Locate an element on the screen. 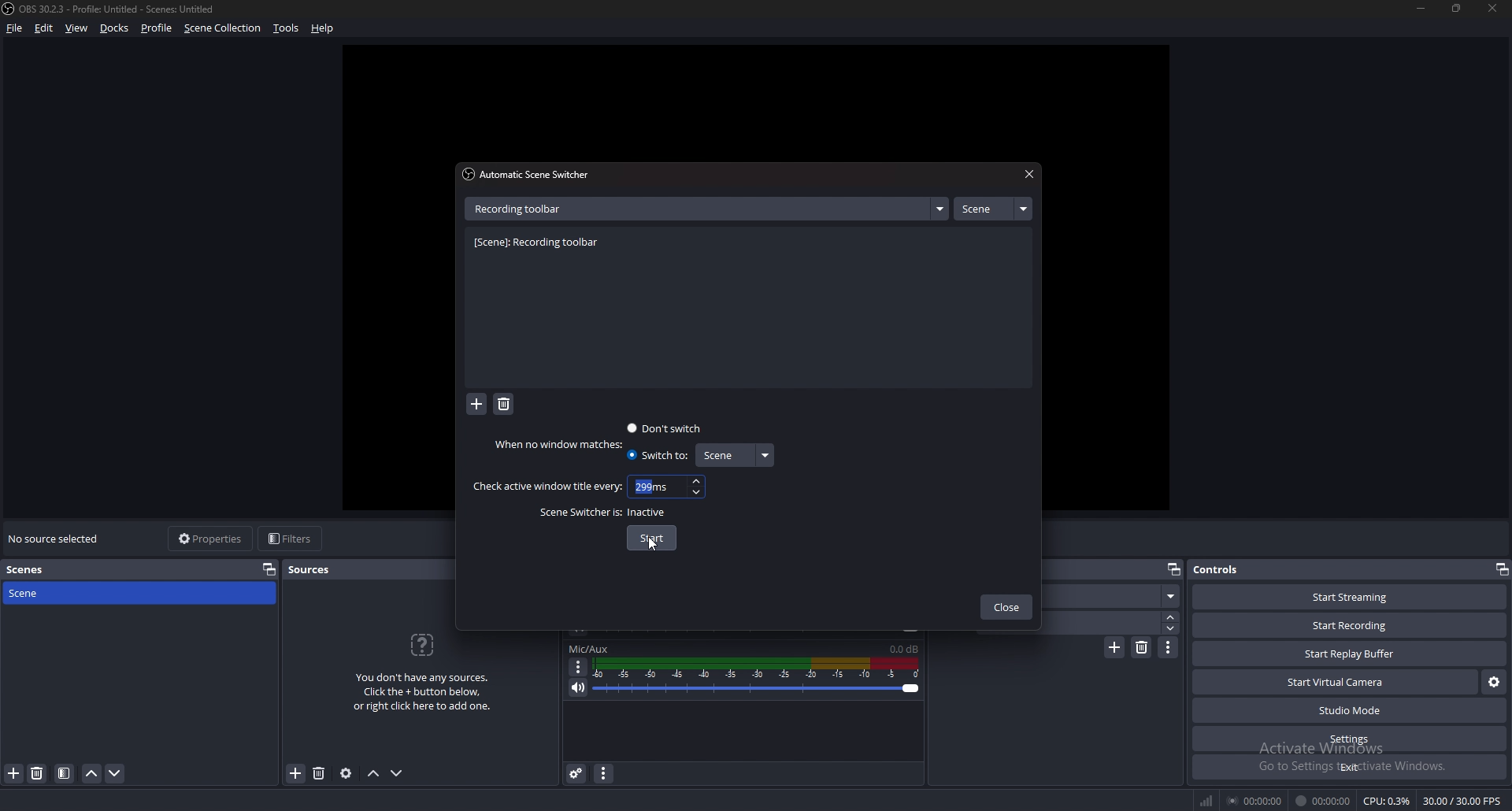  tools is located at coordinates (287, 28).